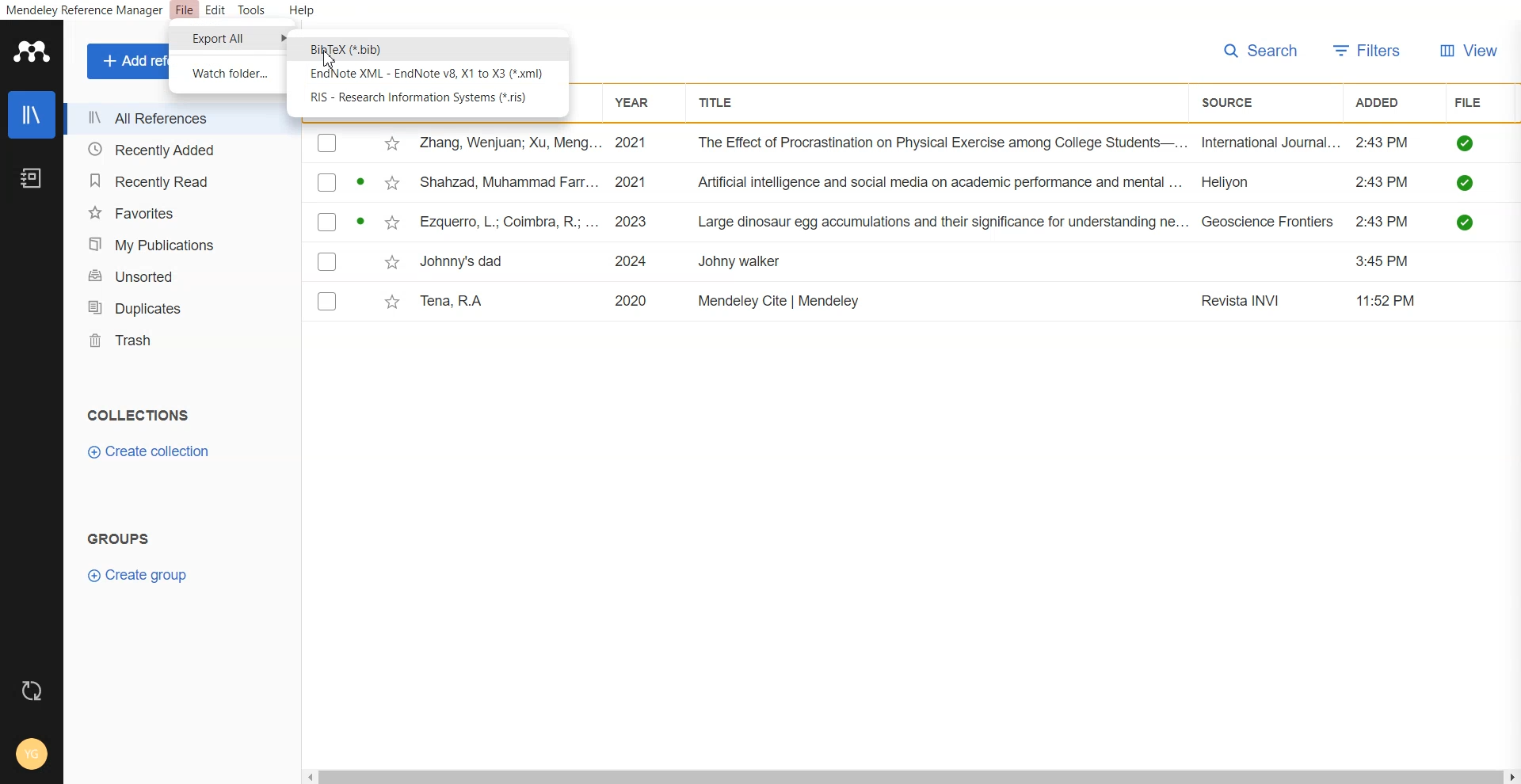 This screenshot has height=784, width=1521. Describe the element at coordinates (426, 74) in the screenshot. I see `EndNote XML - EndNote v8, X1 to X3 (*xml)` at that location.